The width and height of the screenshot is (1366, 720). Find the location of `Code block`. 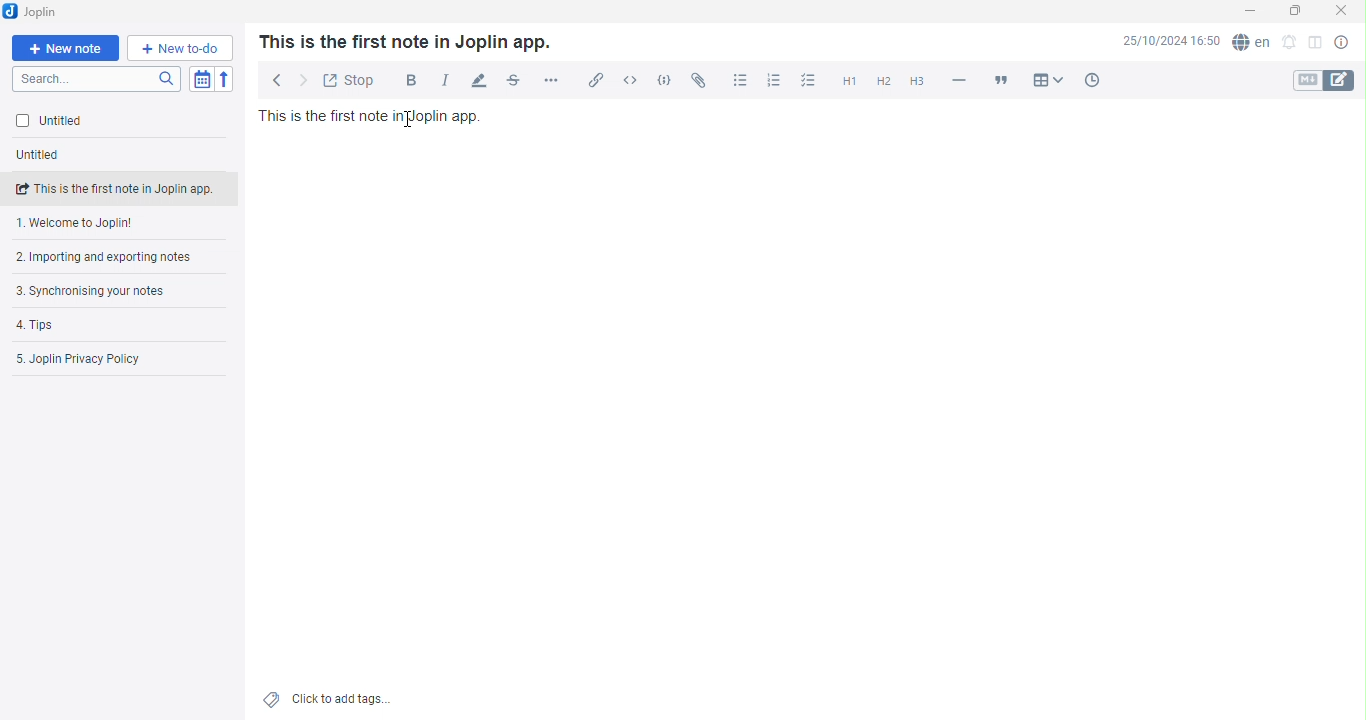

Code block is located at coordinates (664, 80).